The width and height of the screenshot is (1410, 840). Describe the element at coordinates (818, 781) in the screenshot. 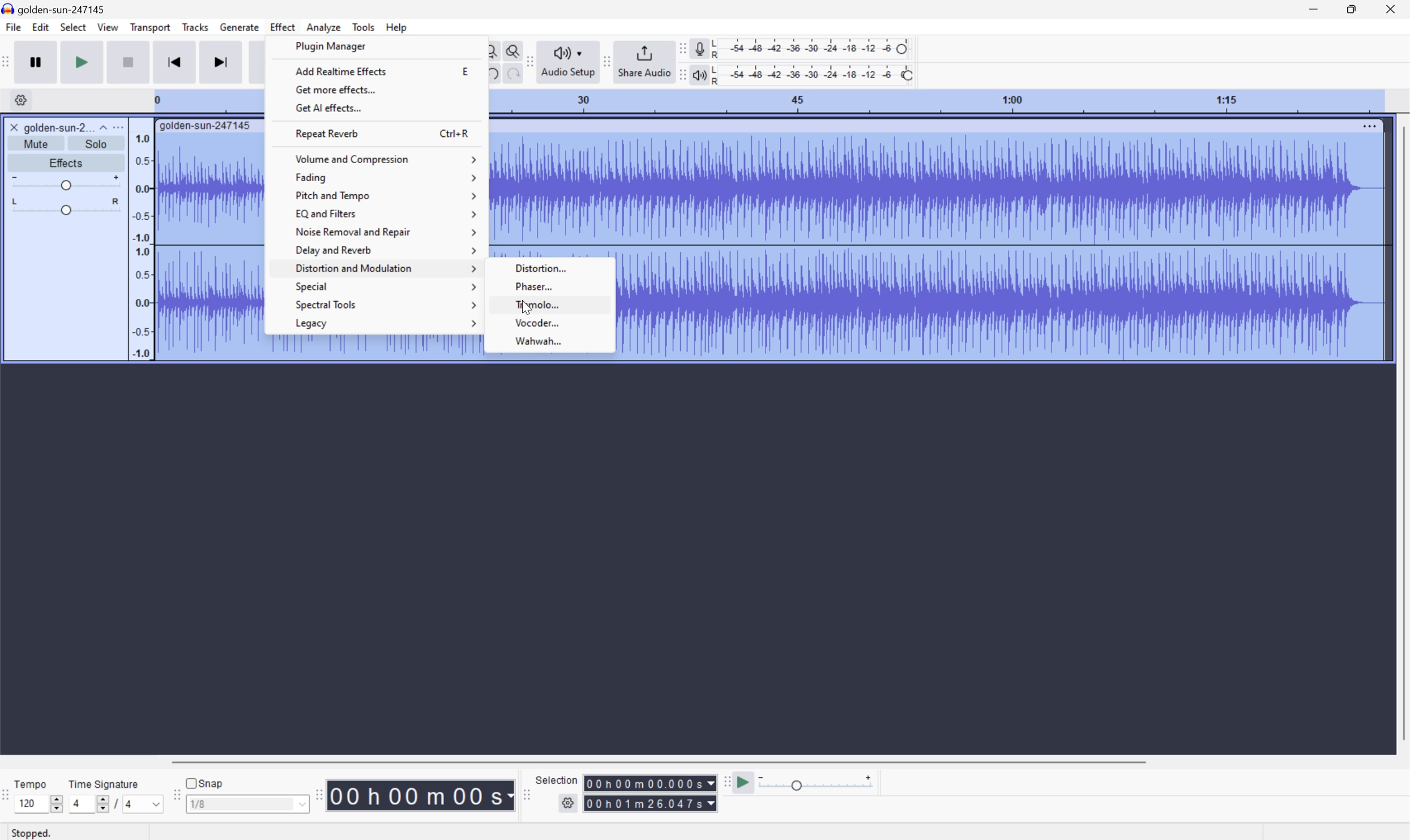

I see `Playback speed: 1.000 x` at that location.